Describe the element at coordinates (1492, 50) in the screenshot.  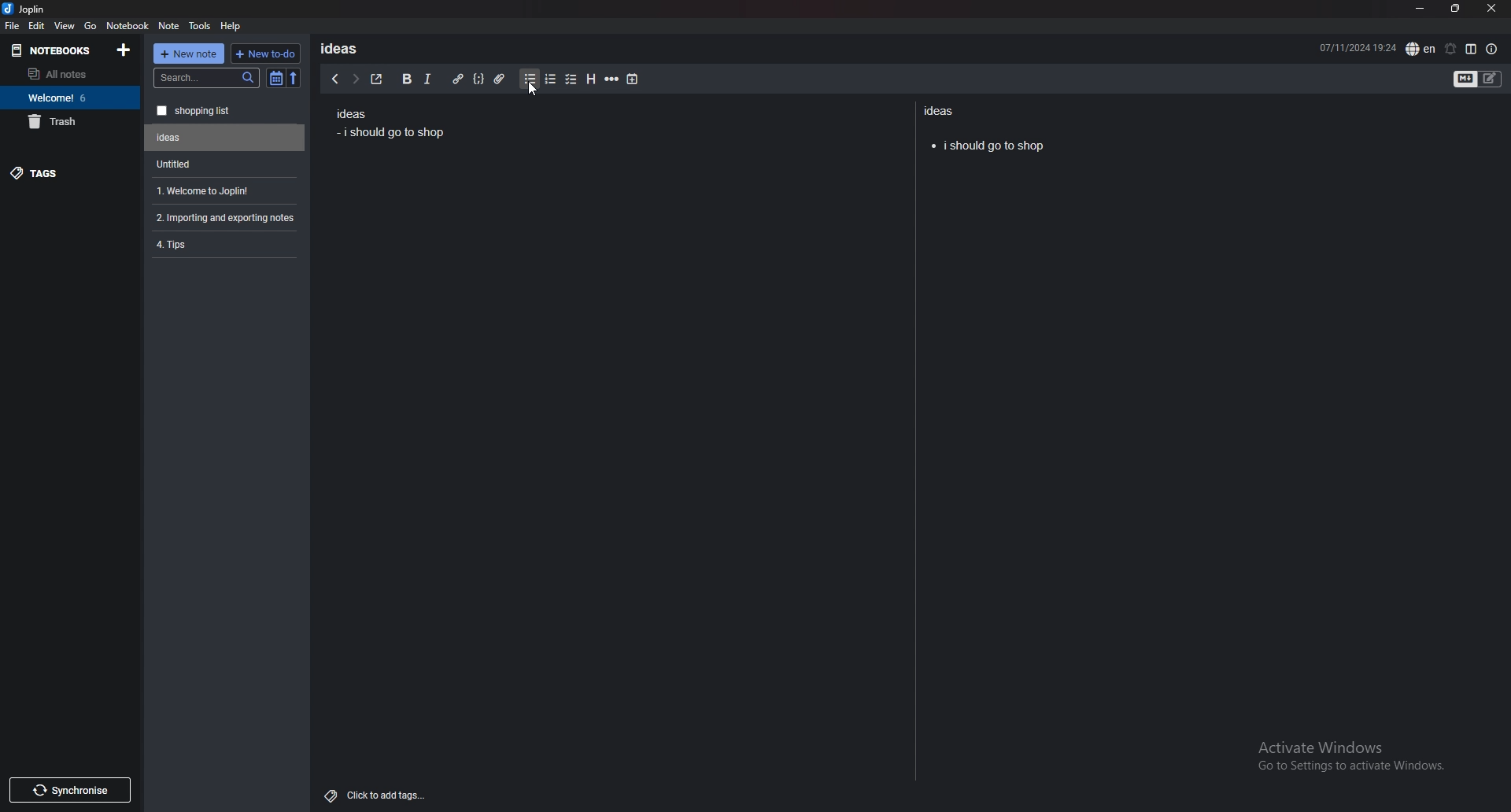
I see `note properties` at that location.